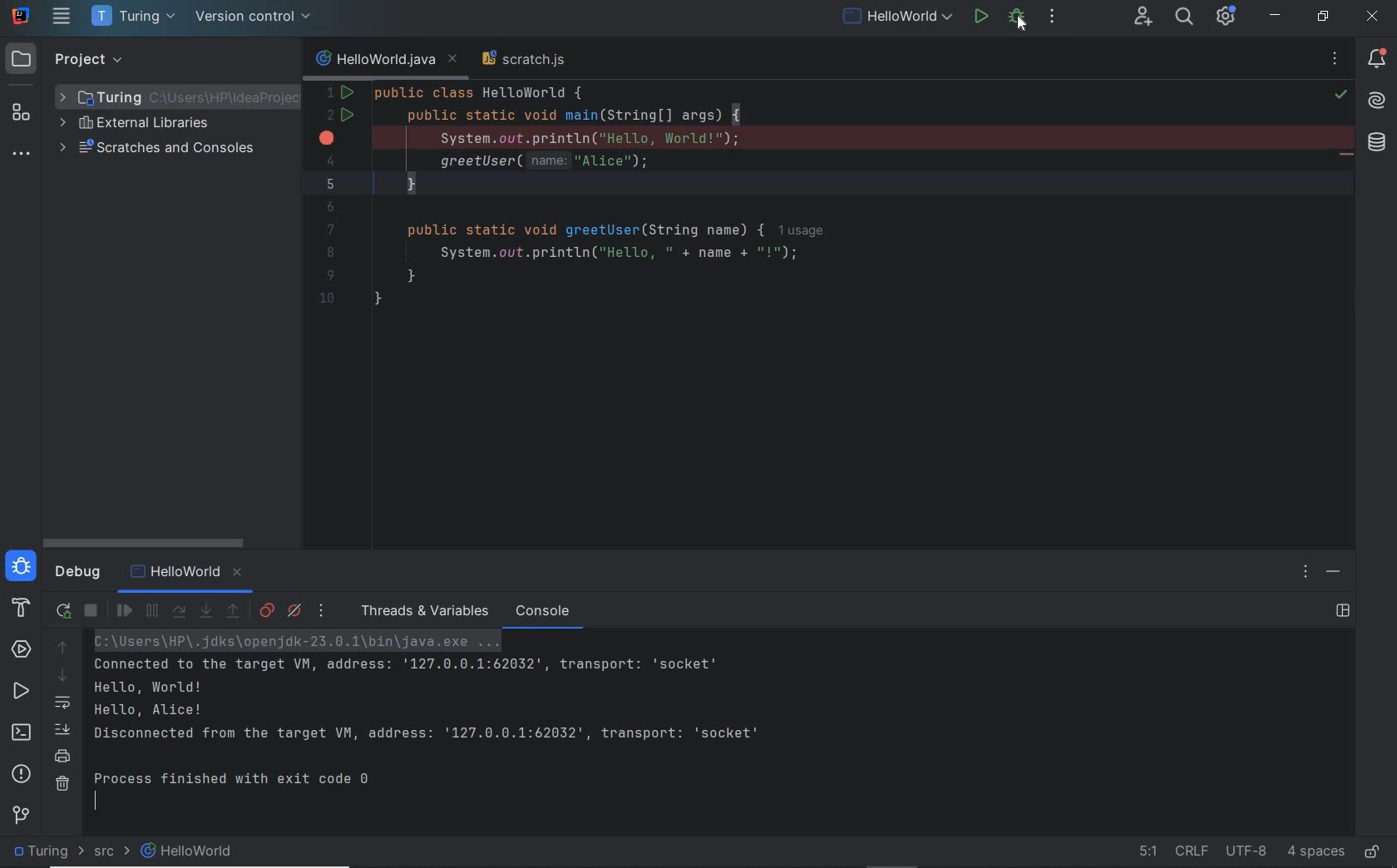  What do you see at coordinates (1343, 95) in the screenshot?
I see `no problems highlighted` at bounding box center [1343, 95].